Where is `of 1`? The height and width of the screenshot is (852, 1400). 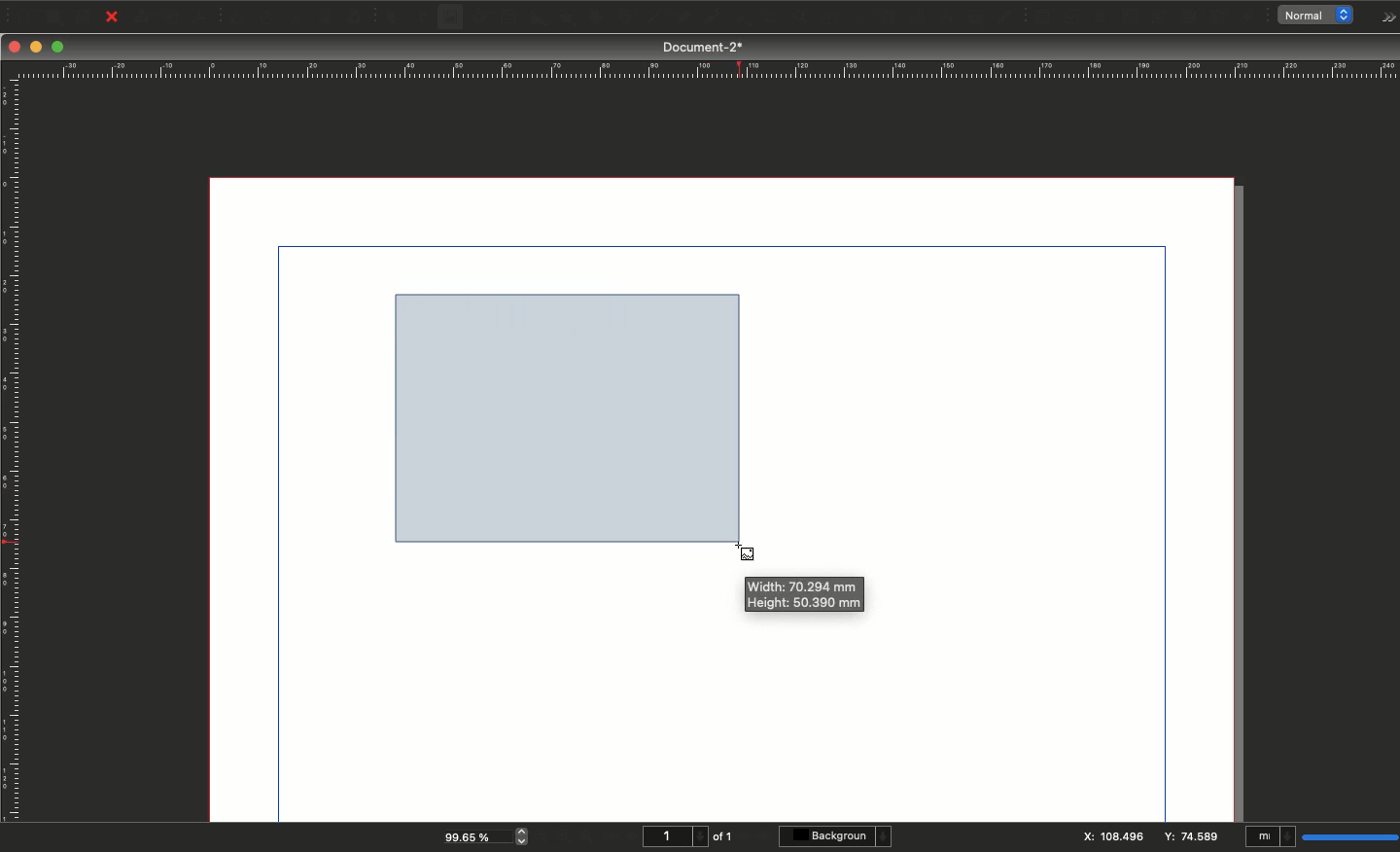 of 1 is located at coordinates (723, 836).